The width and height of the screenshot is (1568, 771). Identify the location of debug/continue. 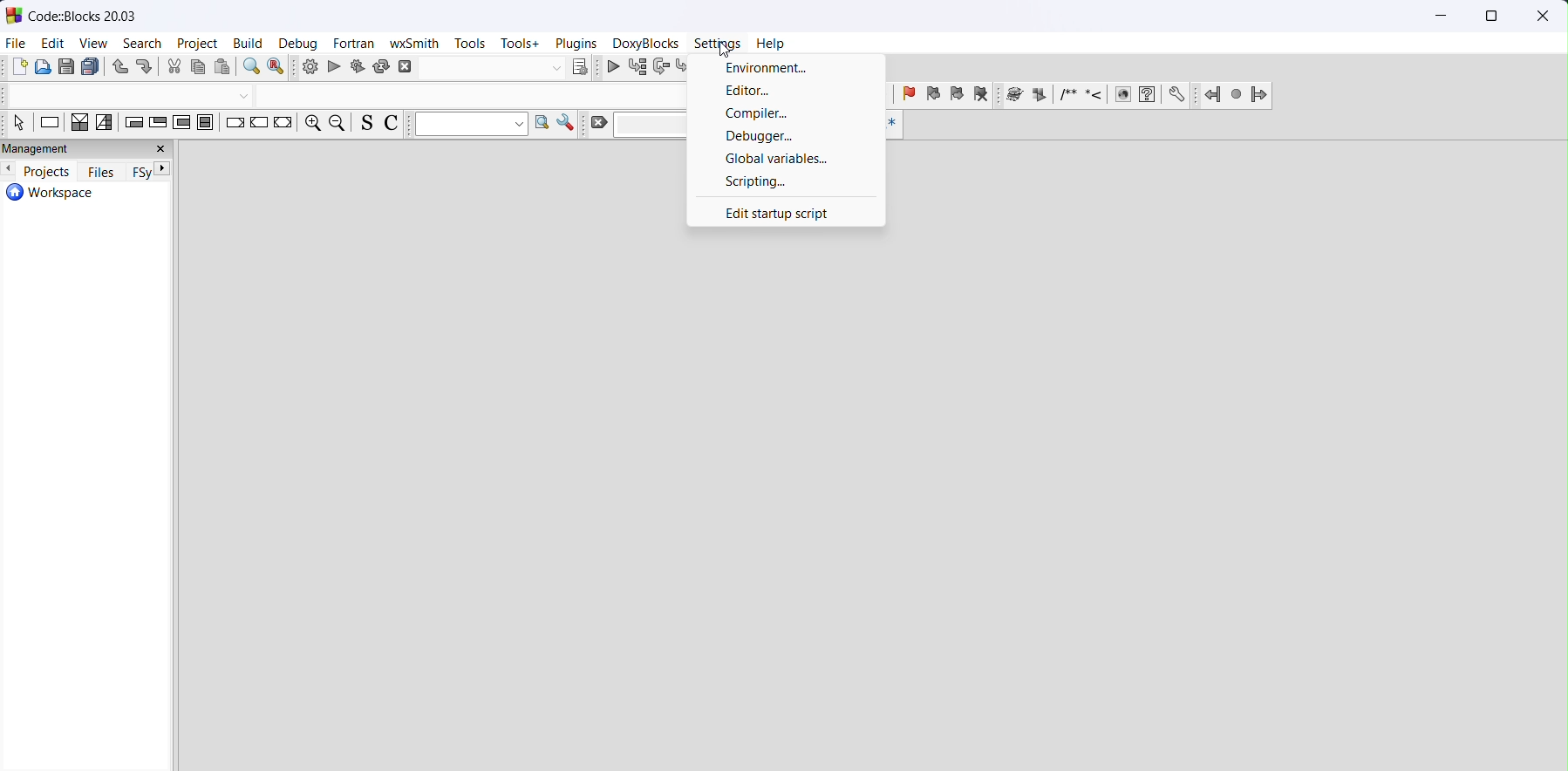
(615, 68).